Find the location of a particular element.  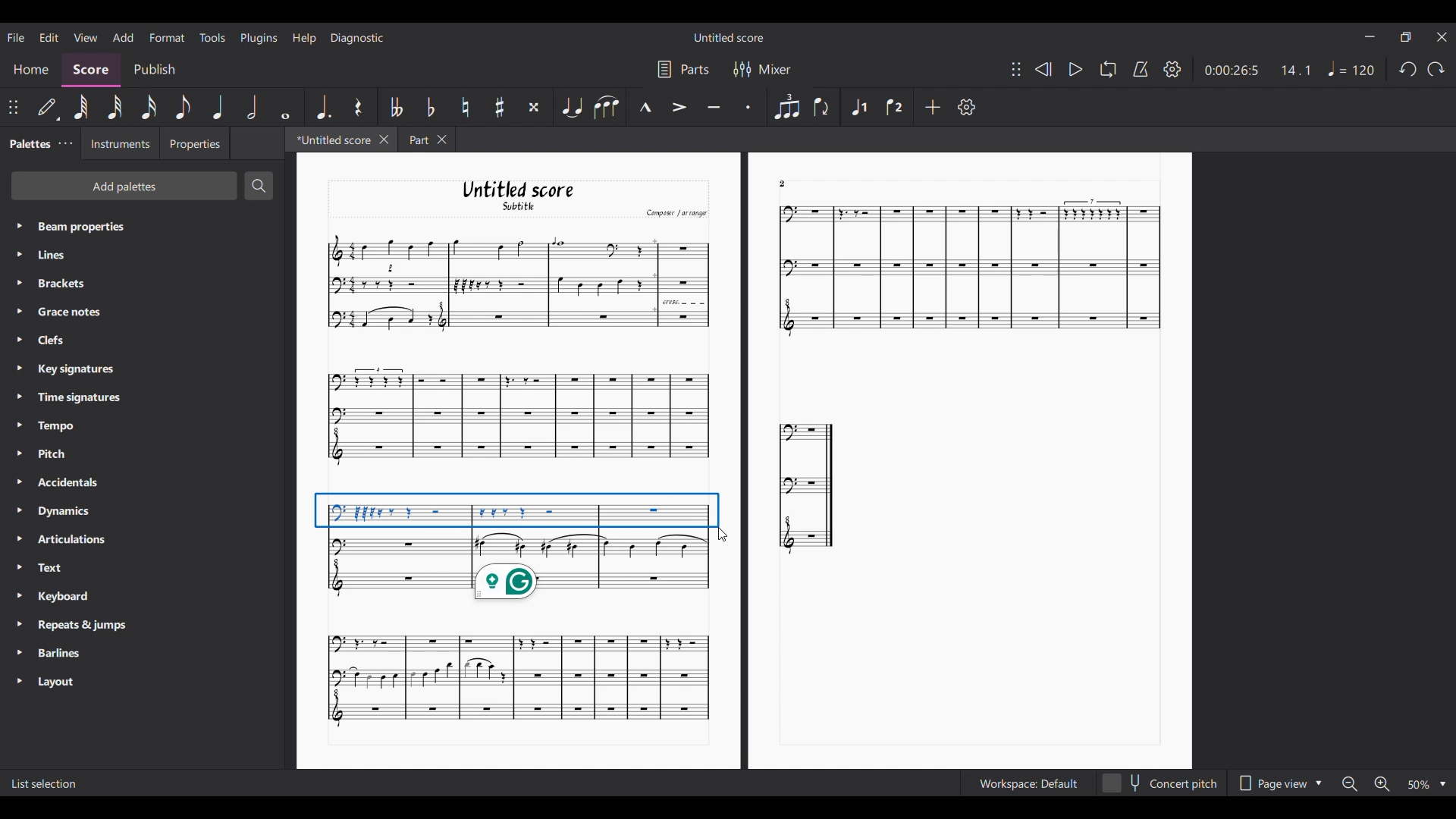

Help menu is located at coordinates (304, 38).